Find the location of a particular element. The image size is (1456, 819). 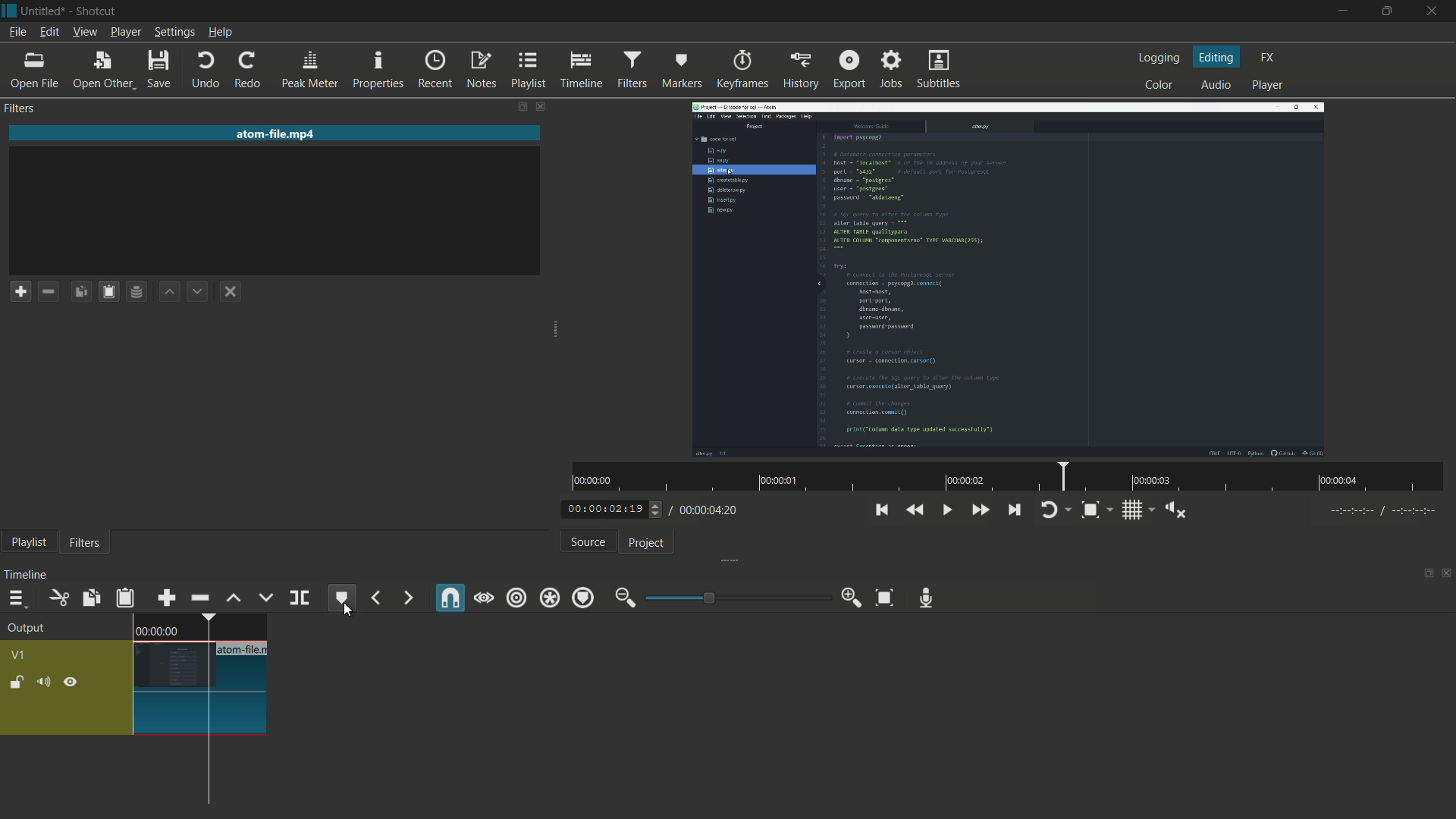

imported video is located at coordinates (1009, 280).